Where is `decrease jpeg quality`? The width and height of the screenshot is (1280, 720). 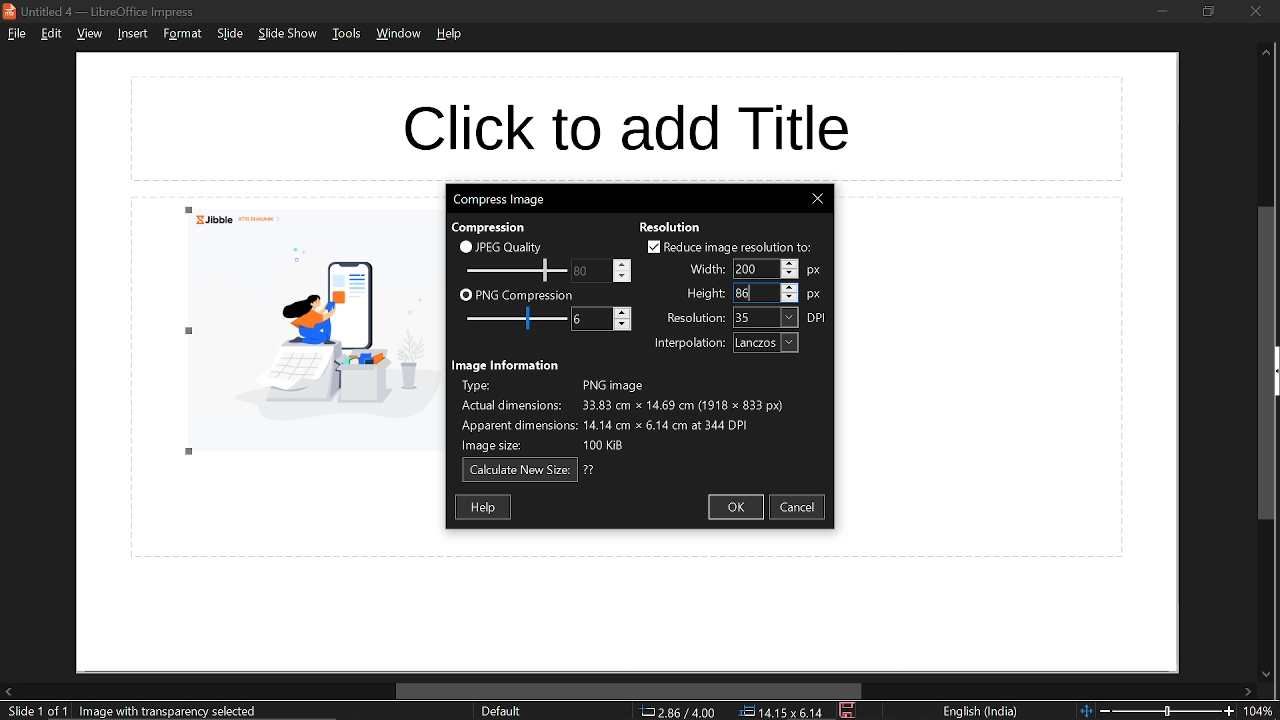 decrease jpeg quality is located at coordinates (621, 276).